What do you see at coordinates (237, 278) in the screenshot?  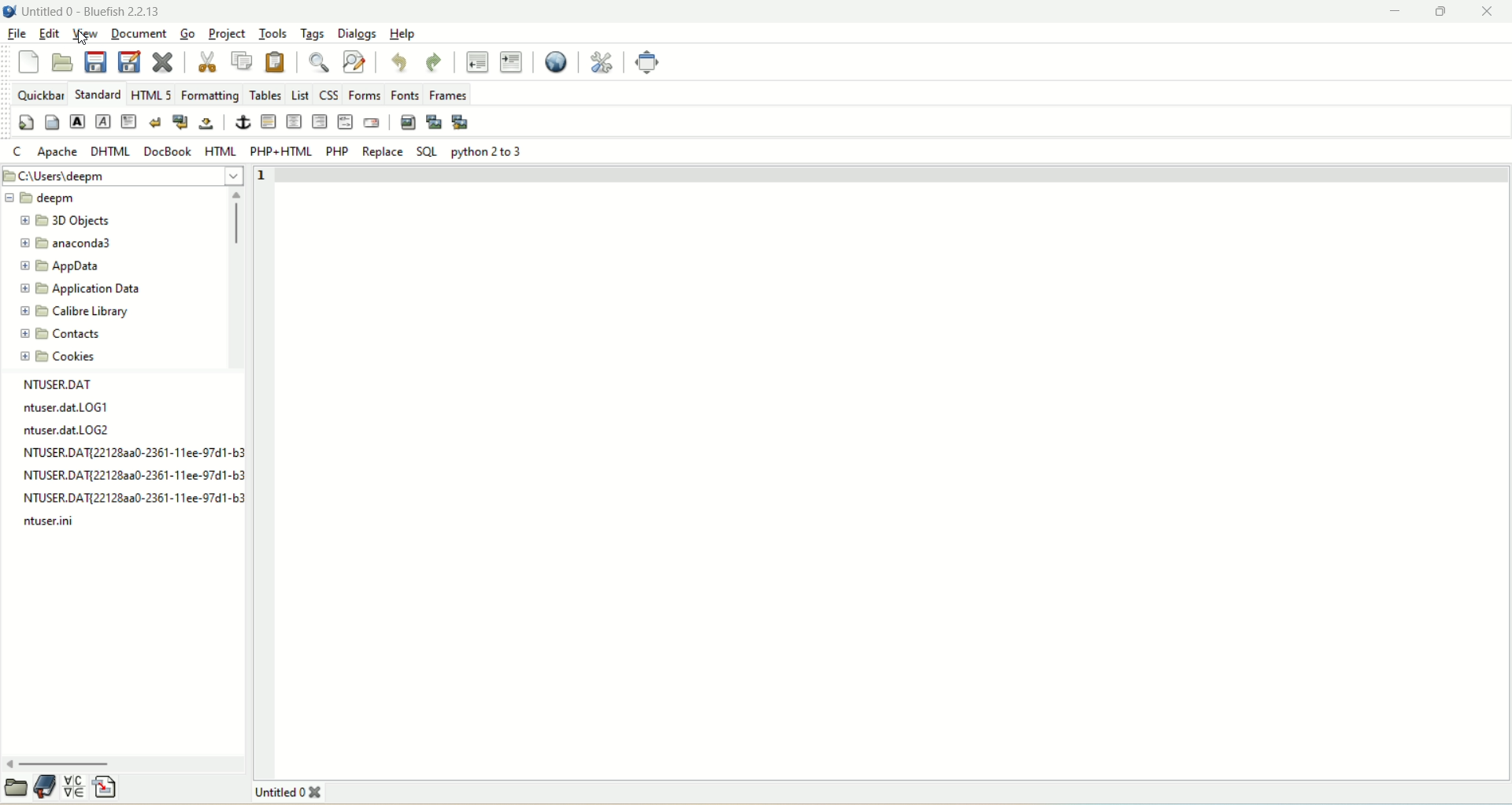 I see `vertical scroll bar` at bounding box center [237, 278].